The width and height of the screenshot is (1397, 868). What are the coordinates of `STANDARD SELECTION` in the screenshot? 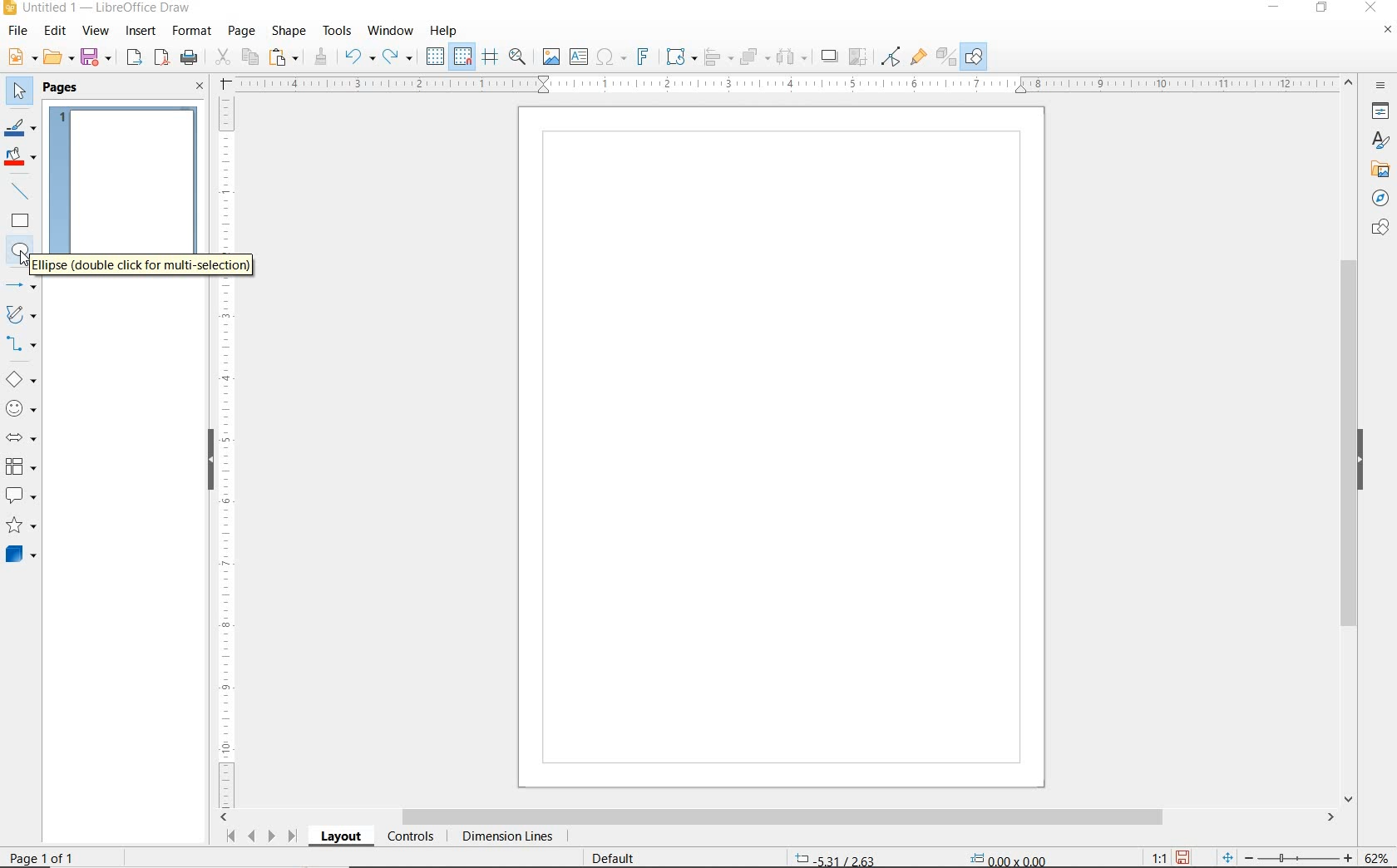 It's located at (921, 854).